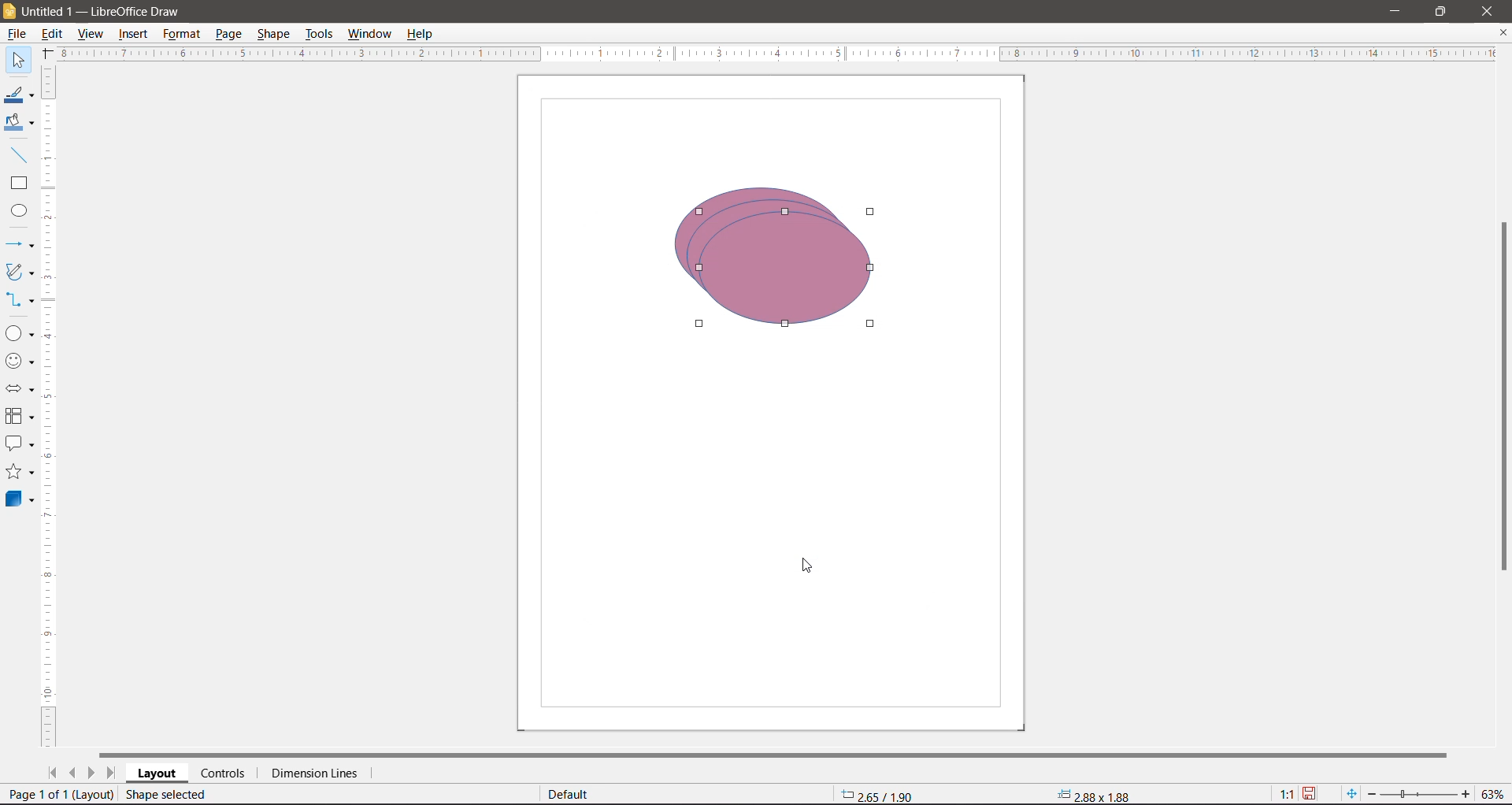 This screenshot has width=1512, height=805. Describe the element at coordinates (20, 273) in the screenshot. I see `Curves and Polygons` at that location.